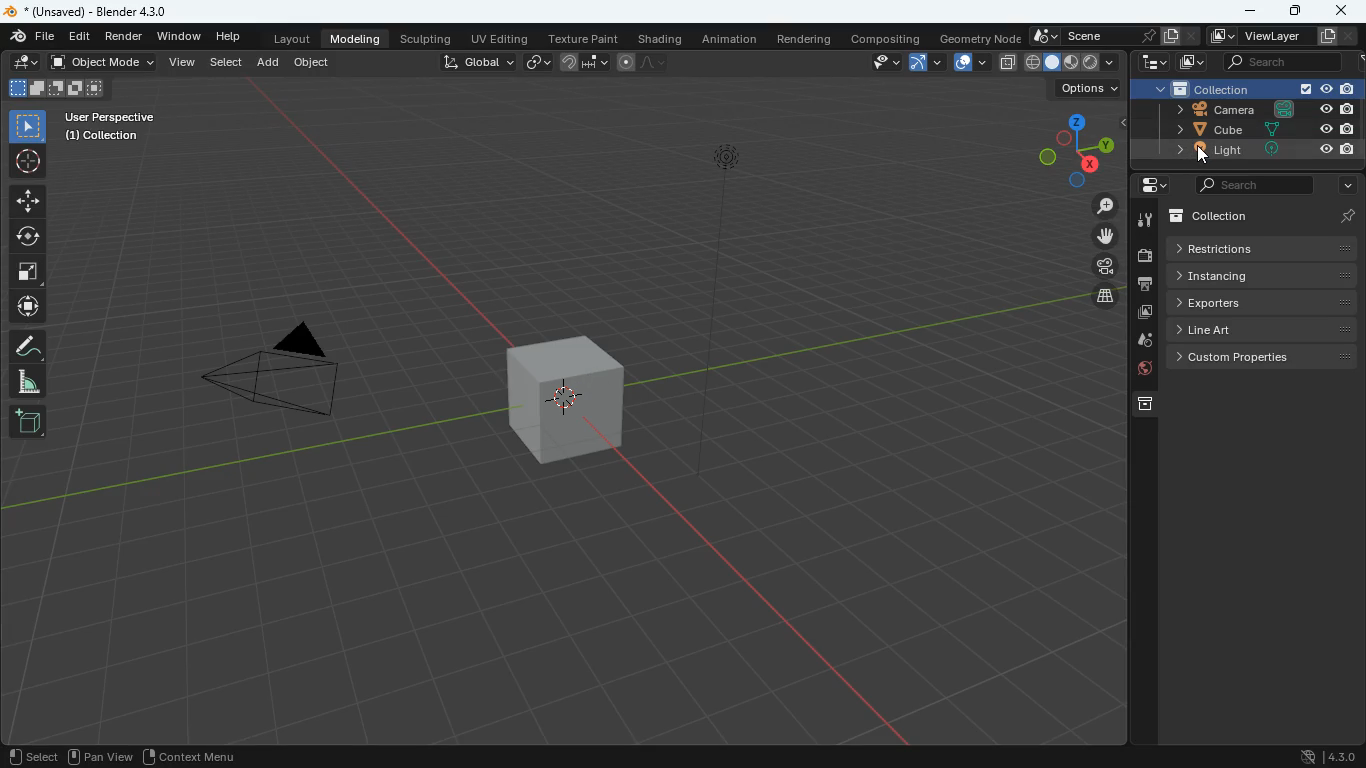 The height and width of the screenshot is (768, 1366). Describe the element at coordinates (1324, 756) in the screenshot. I see `app version` at that location.